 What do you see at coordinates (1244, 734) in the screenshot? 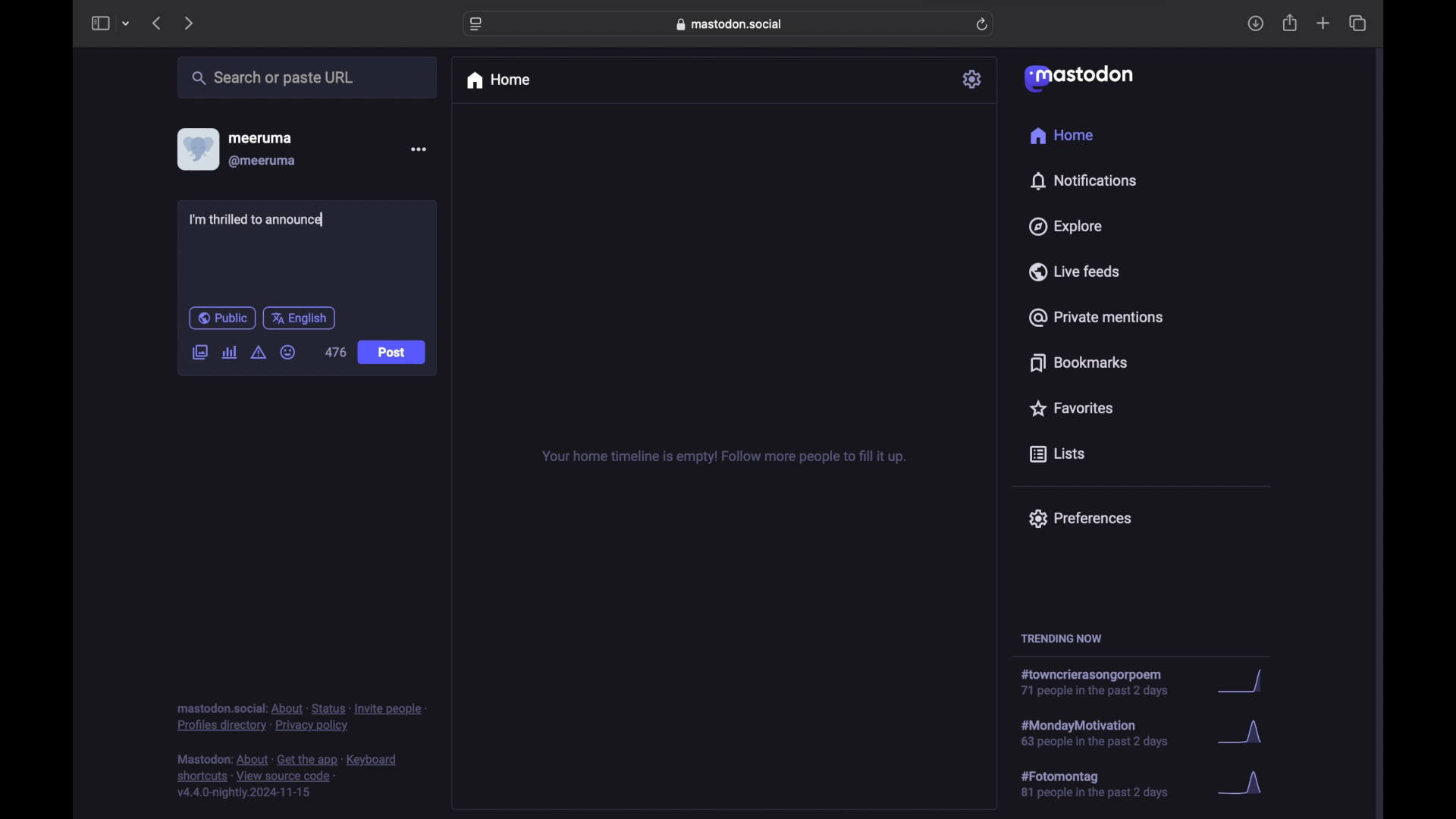
I see `graph` at bounding box center [1244, 734].